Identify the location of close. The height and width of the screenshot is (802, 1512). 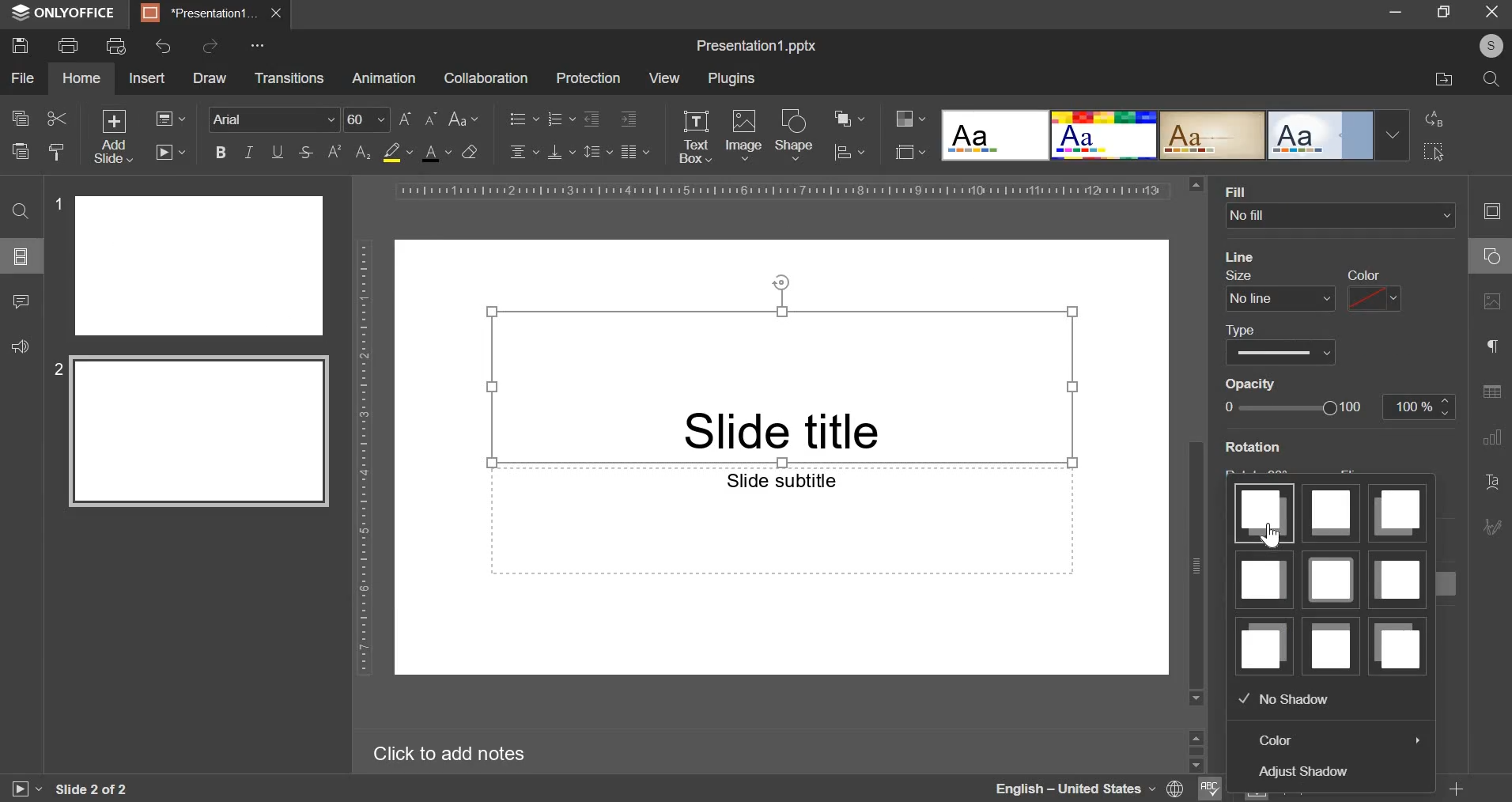
(276, 13).